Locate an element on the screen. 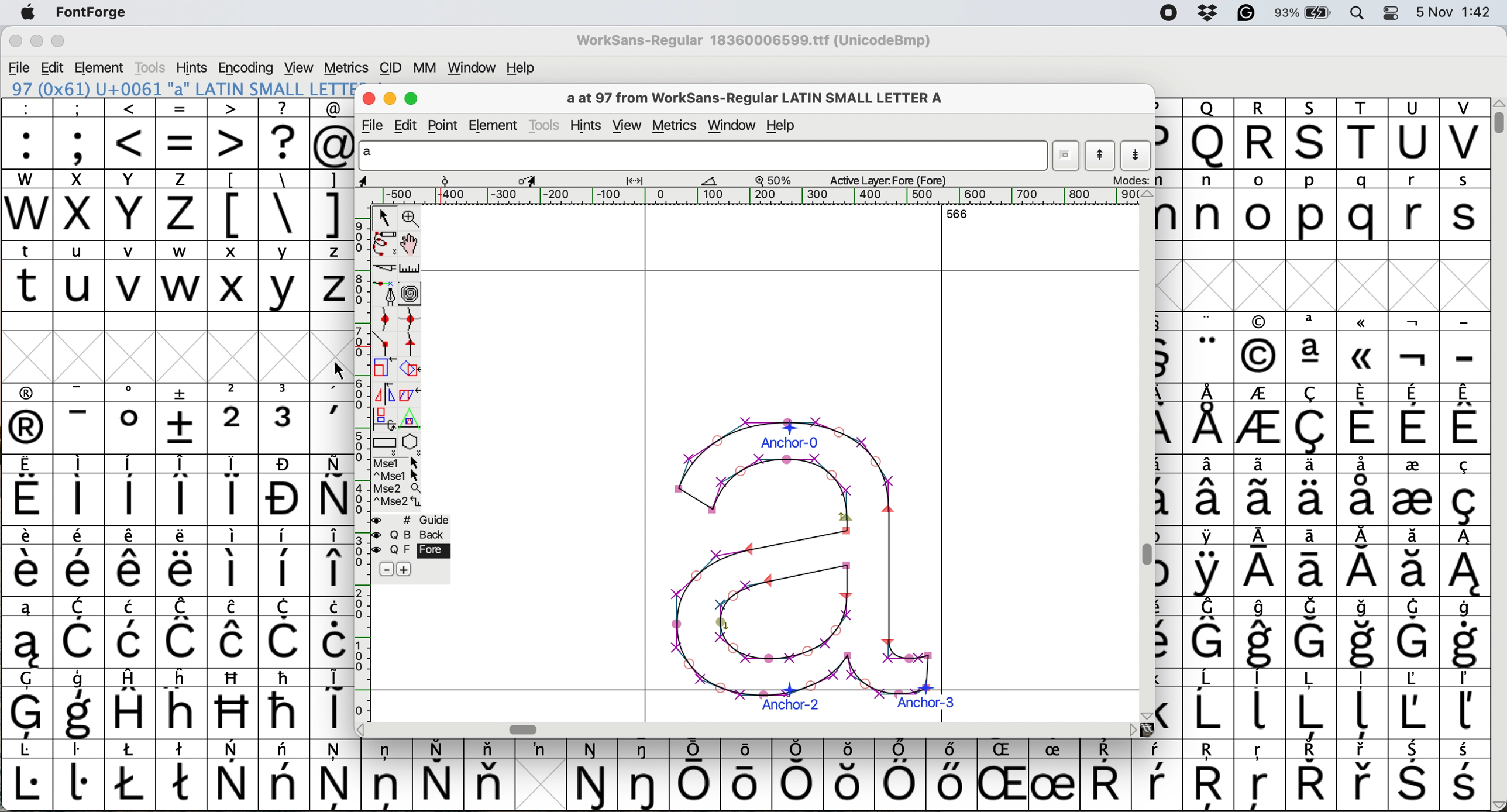 Image resolution: width=1507 pixels, height=812 pixels. symbol is located at coordinates (1413, 419).